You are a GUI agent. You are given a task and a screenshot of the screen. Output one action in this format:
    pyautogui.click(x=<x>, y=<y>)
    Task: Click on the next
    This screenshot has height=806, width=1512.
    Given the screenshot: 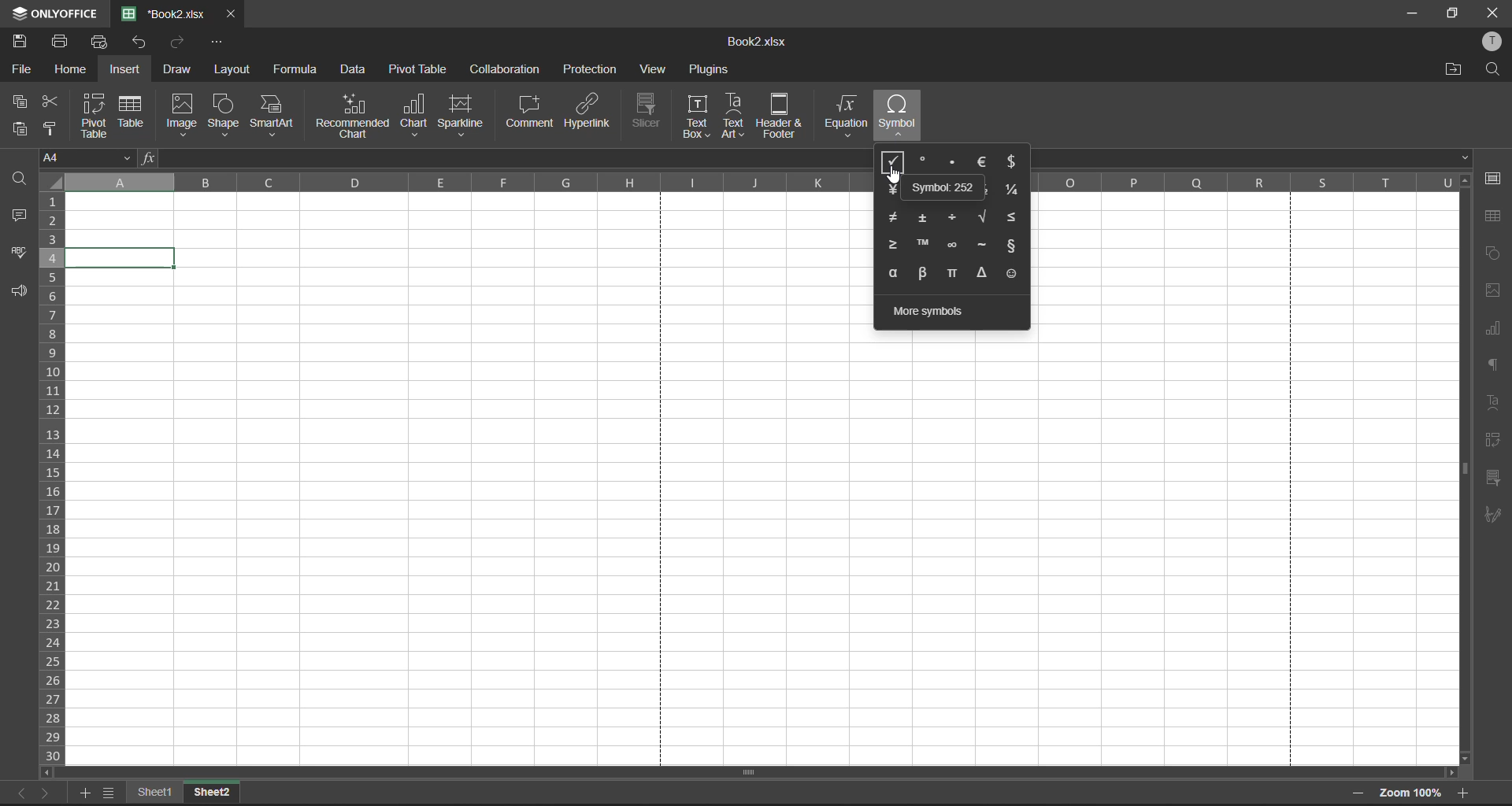 What is the action you would take?
    pyautogui.click(x=46, y=793)
    